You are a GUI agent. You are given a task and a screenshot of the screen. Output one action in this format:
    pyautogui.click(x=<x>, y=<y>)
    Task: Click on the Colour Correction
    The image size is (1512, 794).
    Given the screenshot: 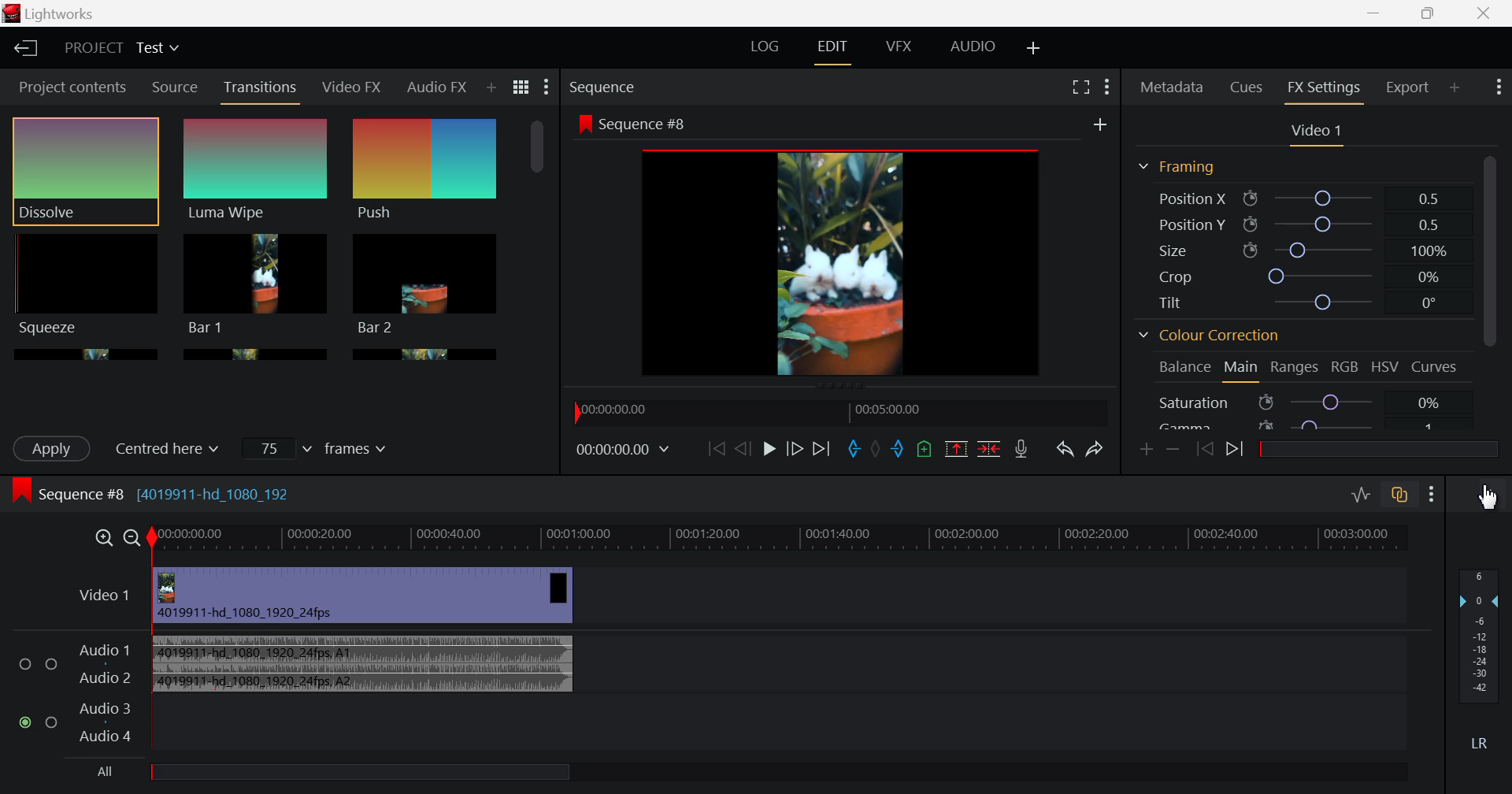 What is the action you would take?
    pyautogui.click(x=1214, y=334)
    